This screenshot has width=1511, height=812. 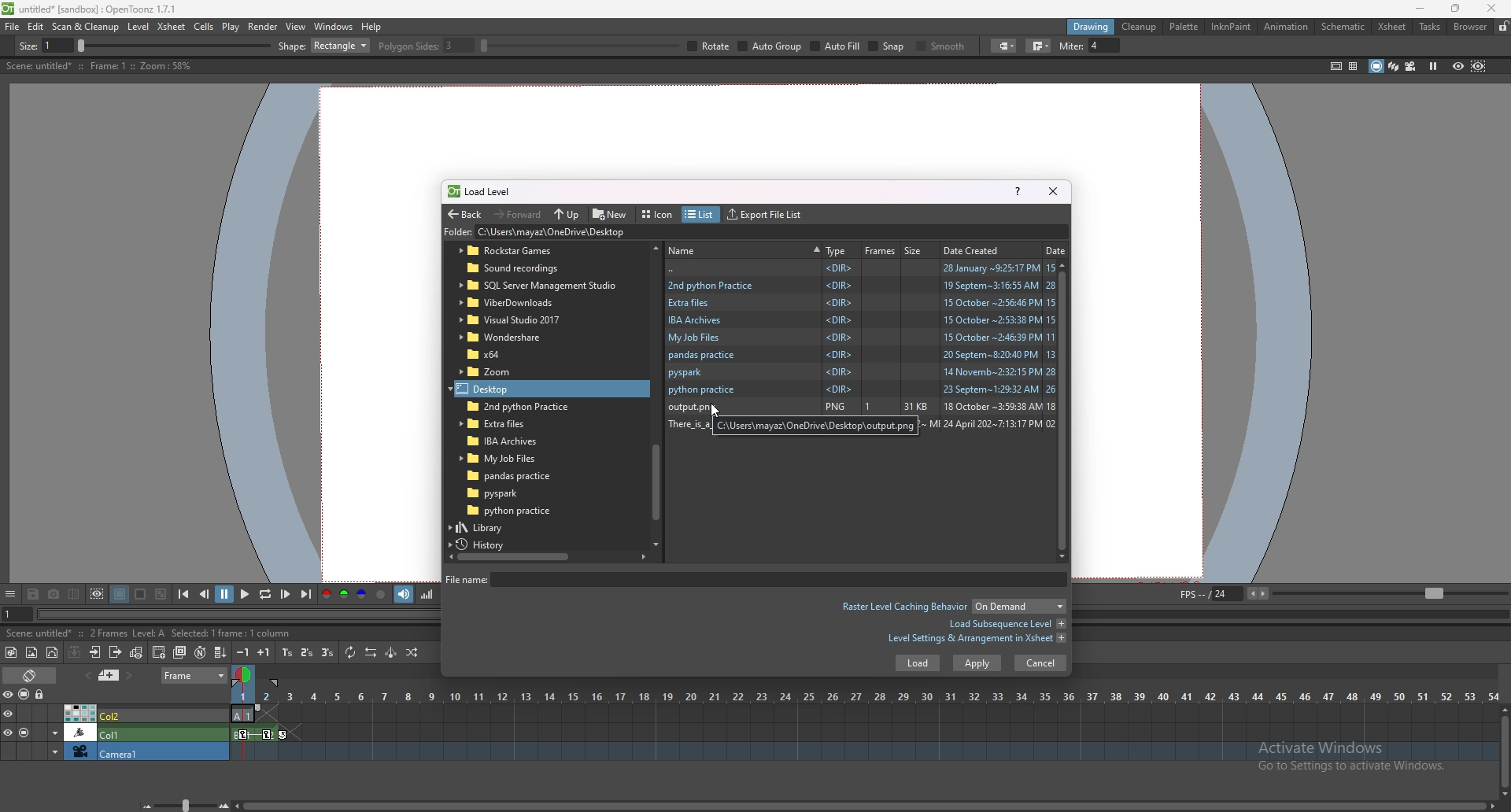 What do you see at coordinates (362, 595) in the screenshot?
I see `blue channel` at bounding box center [362, 595].